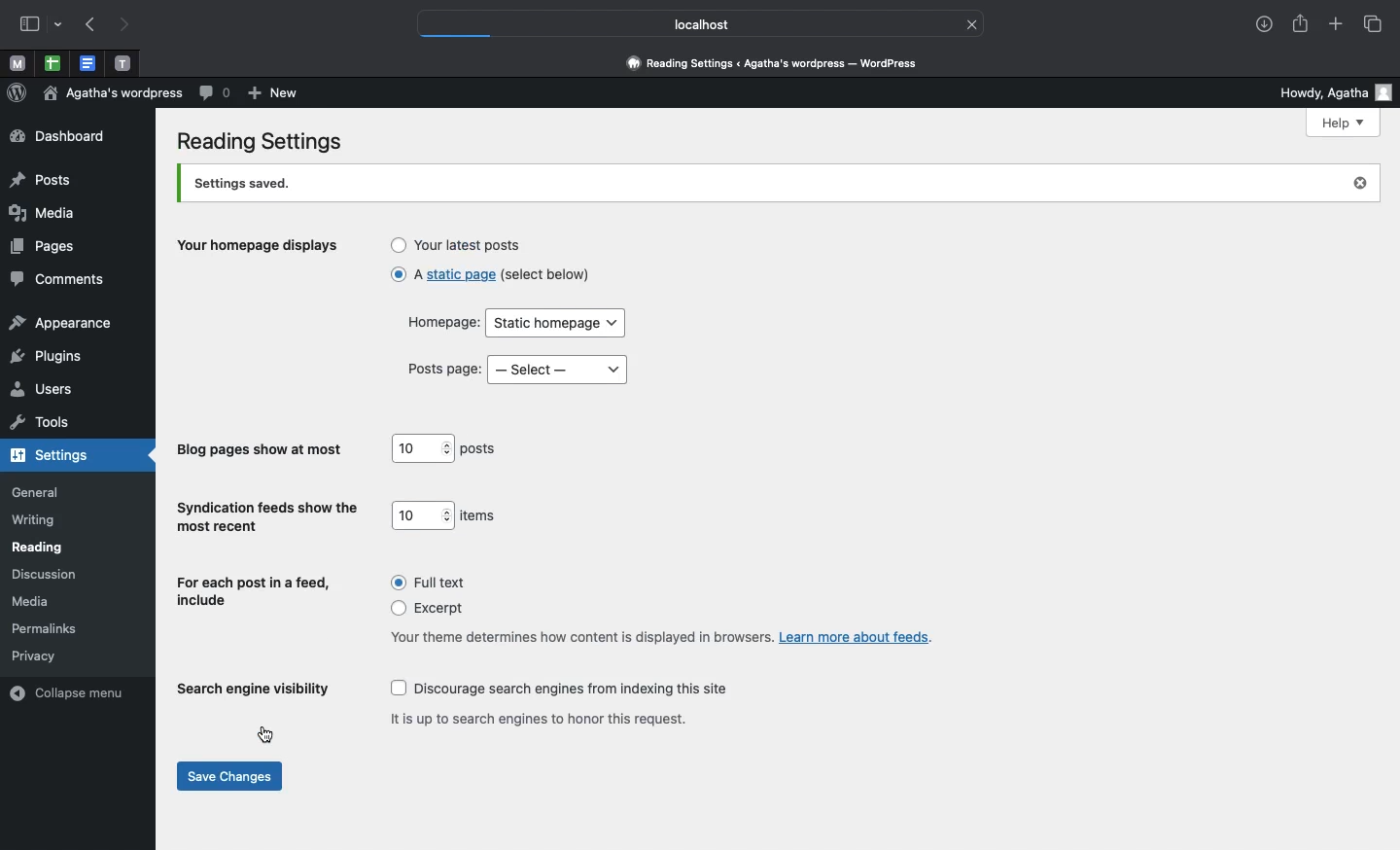 This screenshot has width=1400, height=850. Describe the element at coordinates (35, 521) in the screenshot. I see `writing` at that location.